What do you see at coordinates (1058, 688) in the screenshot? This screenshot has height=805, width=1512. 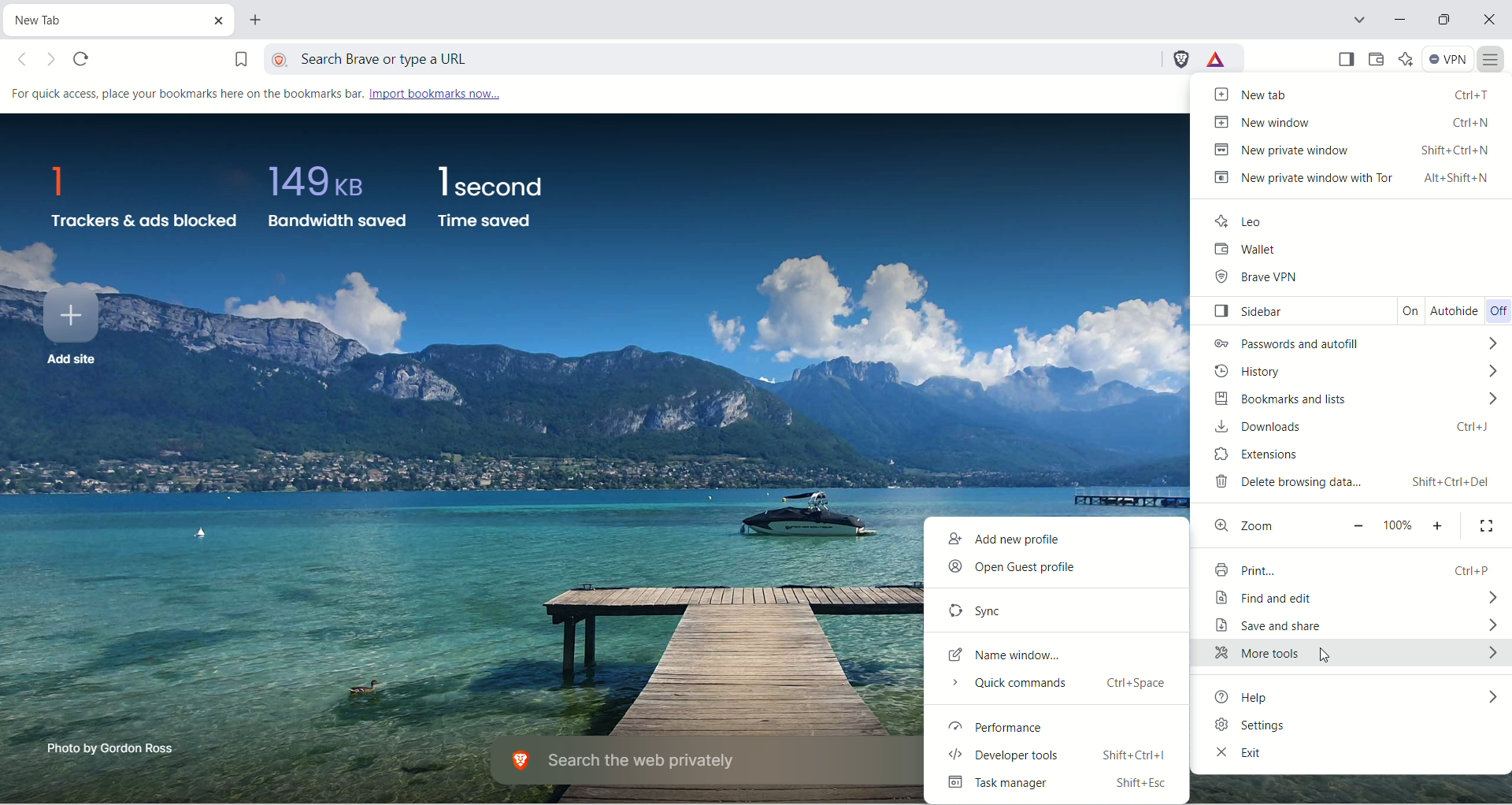 I see `quick commands` at bounding box center [1058, 688].